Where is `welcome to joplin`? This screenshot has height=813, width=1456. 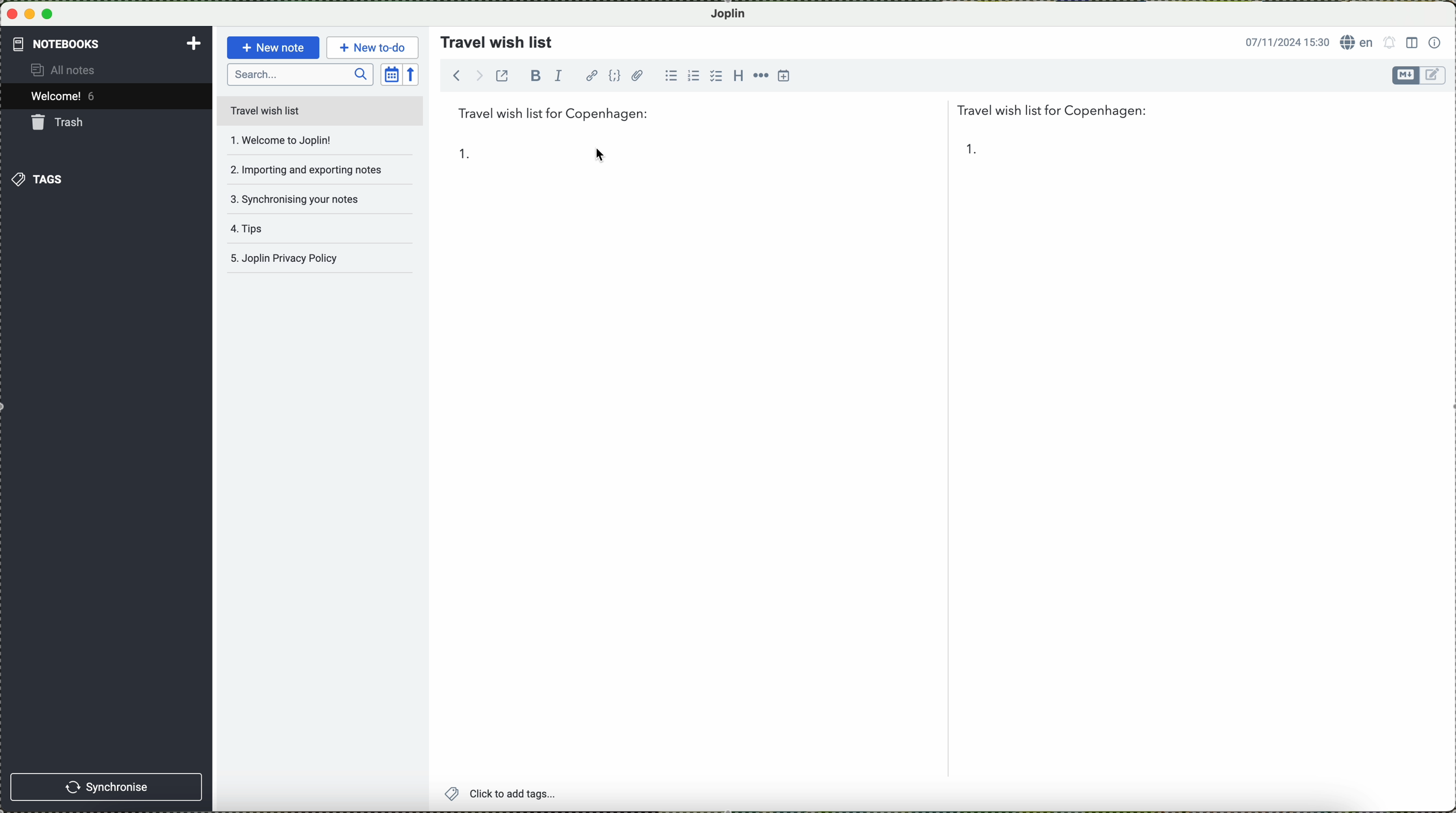 welcome to joplin is located at coordinates (302, 141).